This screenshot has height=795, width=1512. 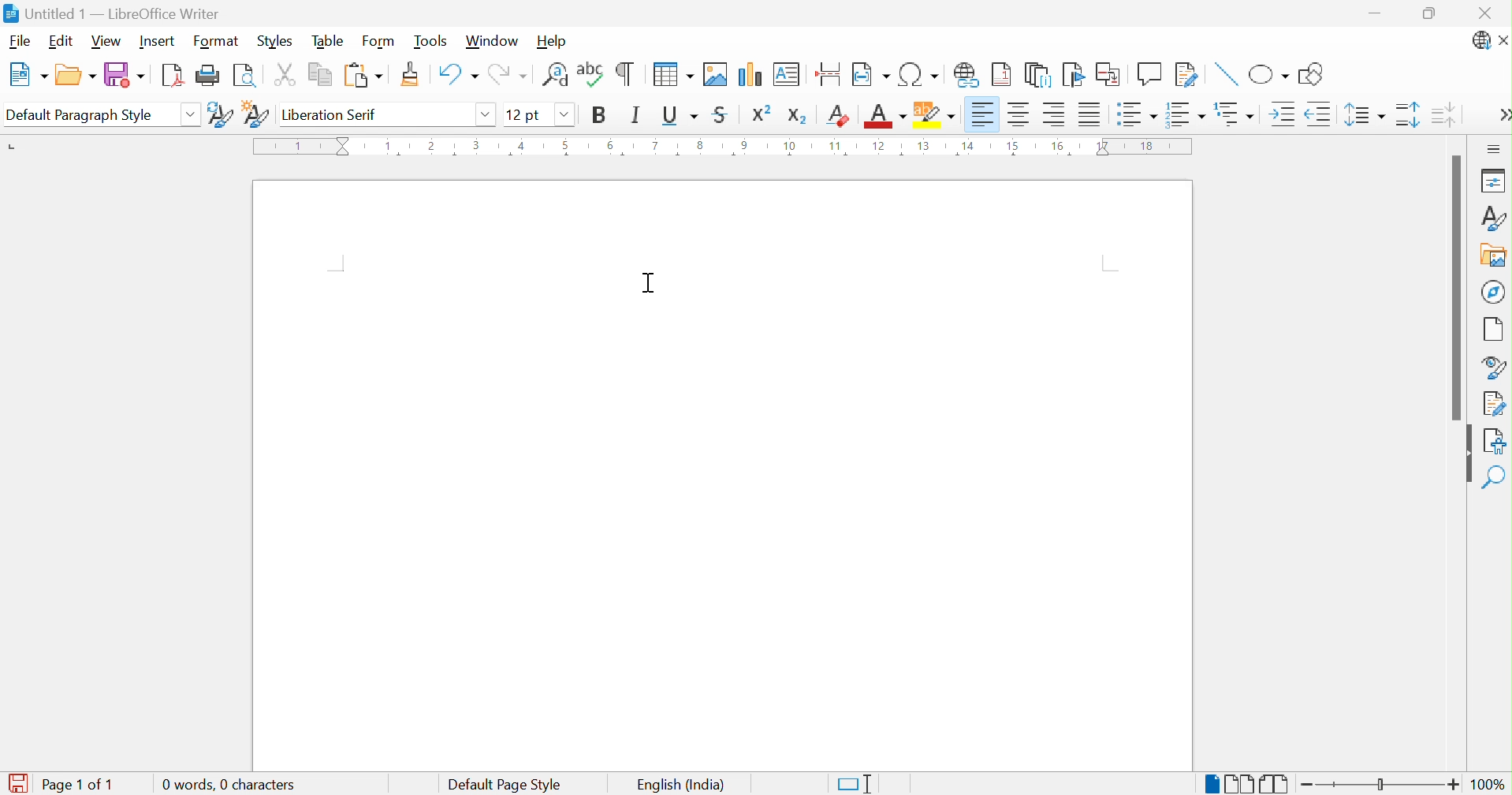 What do you see at coordinates (209, 75) in the screenshot?
I see `Print` at bounding box center [209, 75].